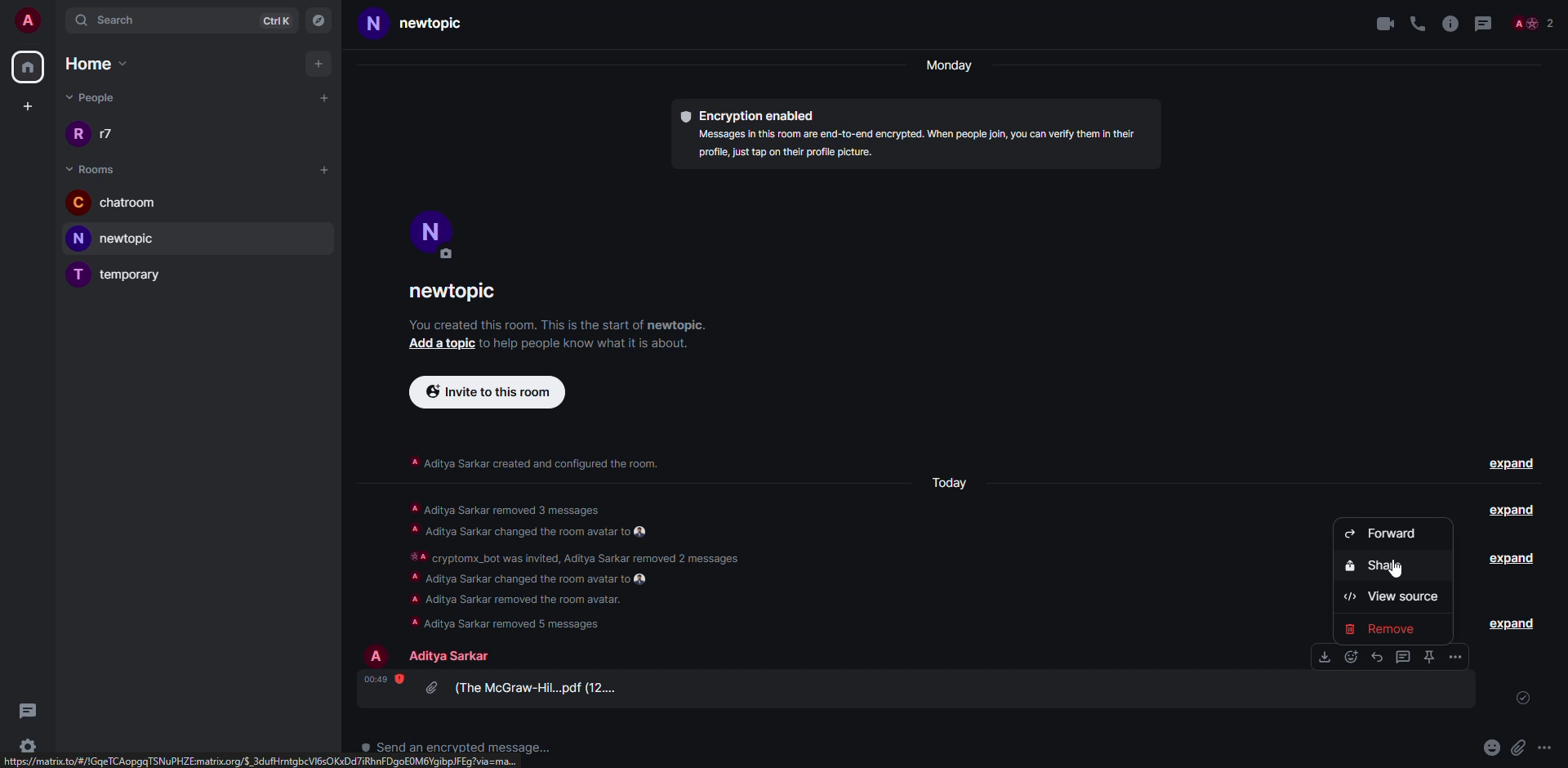  What do you see at coordinates (105, 65) in the screenshot?
I see `home` at bounding box center [105, 65].